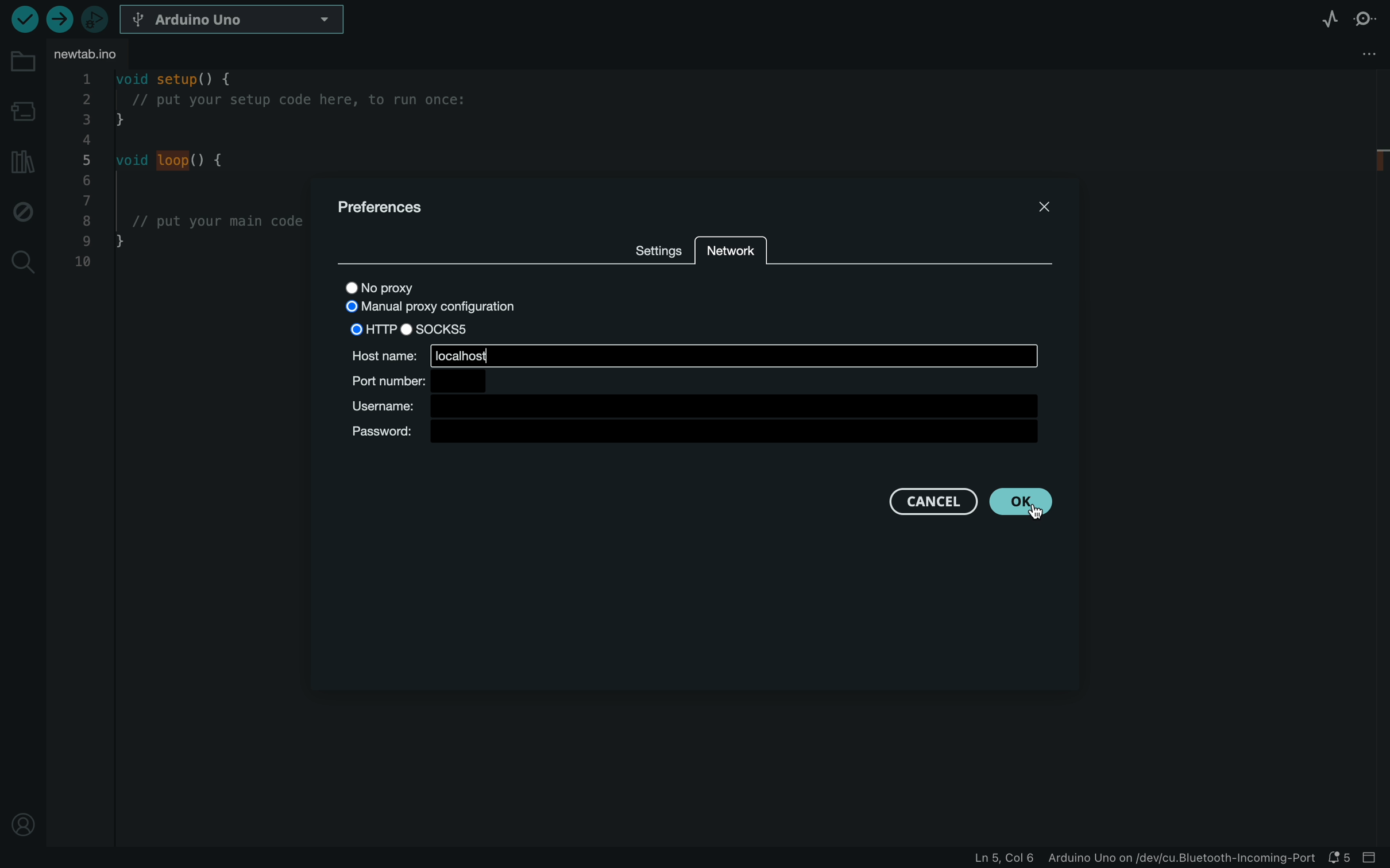  I want to click on debug, so click(23, 209).